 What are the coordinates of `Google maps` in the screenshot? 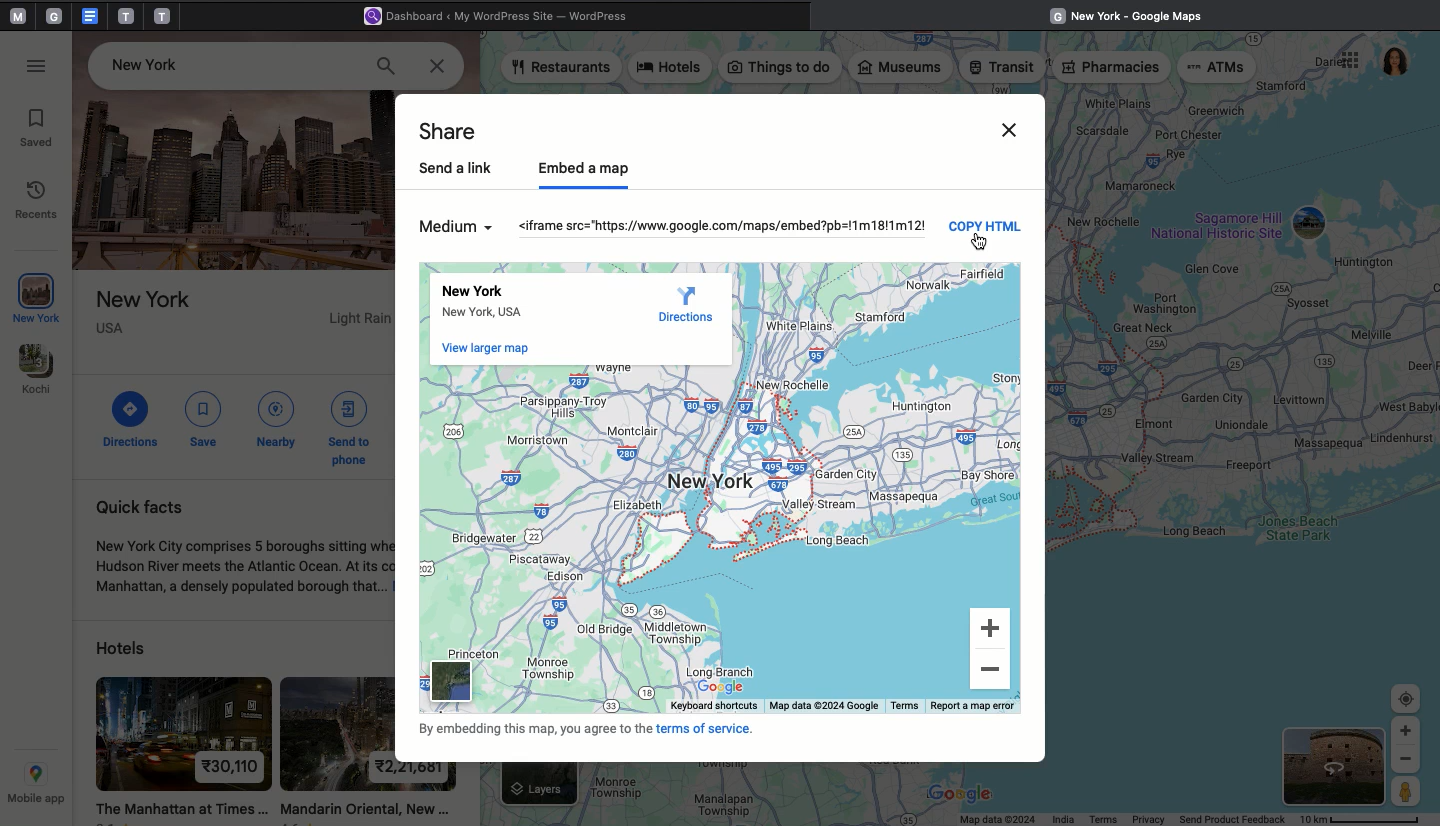 It's located at (1133, 14).